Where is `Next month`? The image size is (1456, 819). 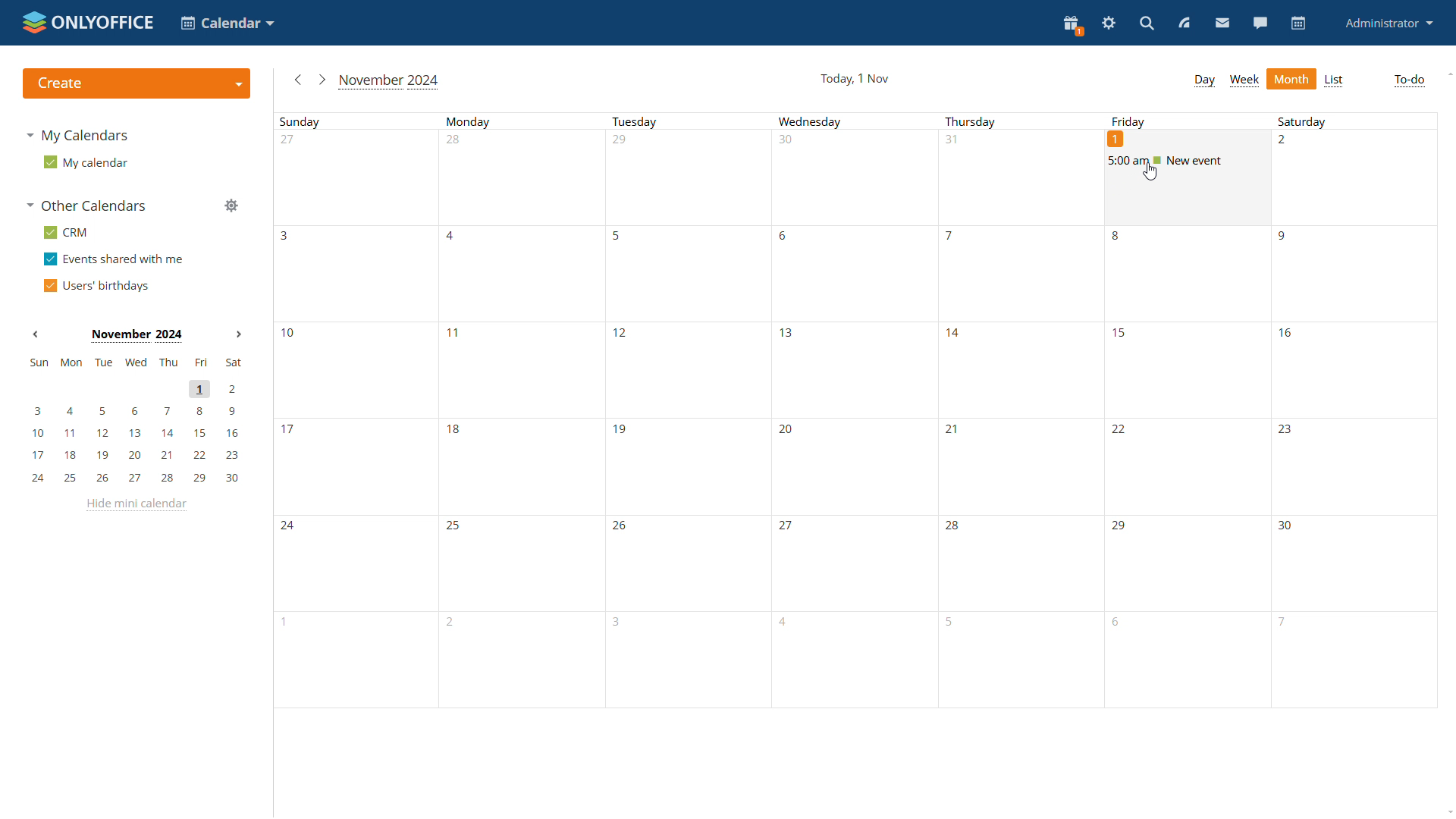 Next month is located at coordinates (238, 334).